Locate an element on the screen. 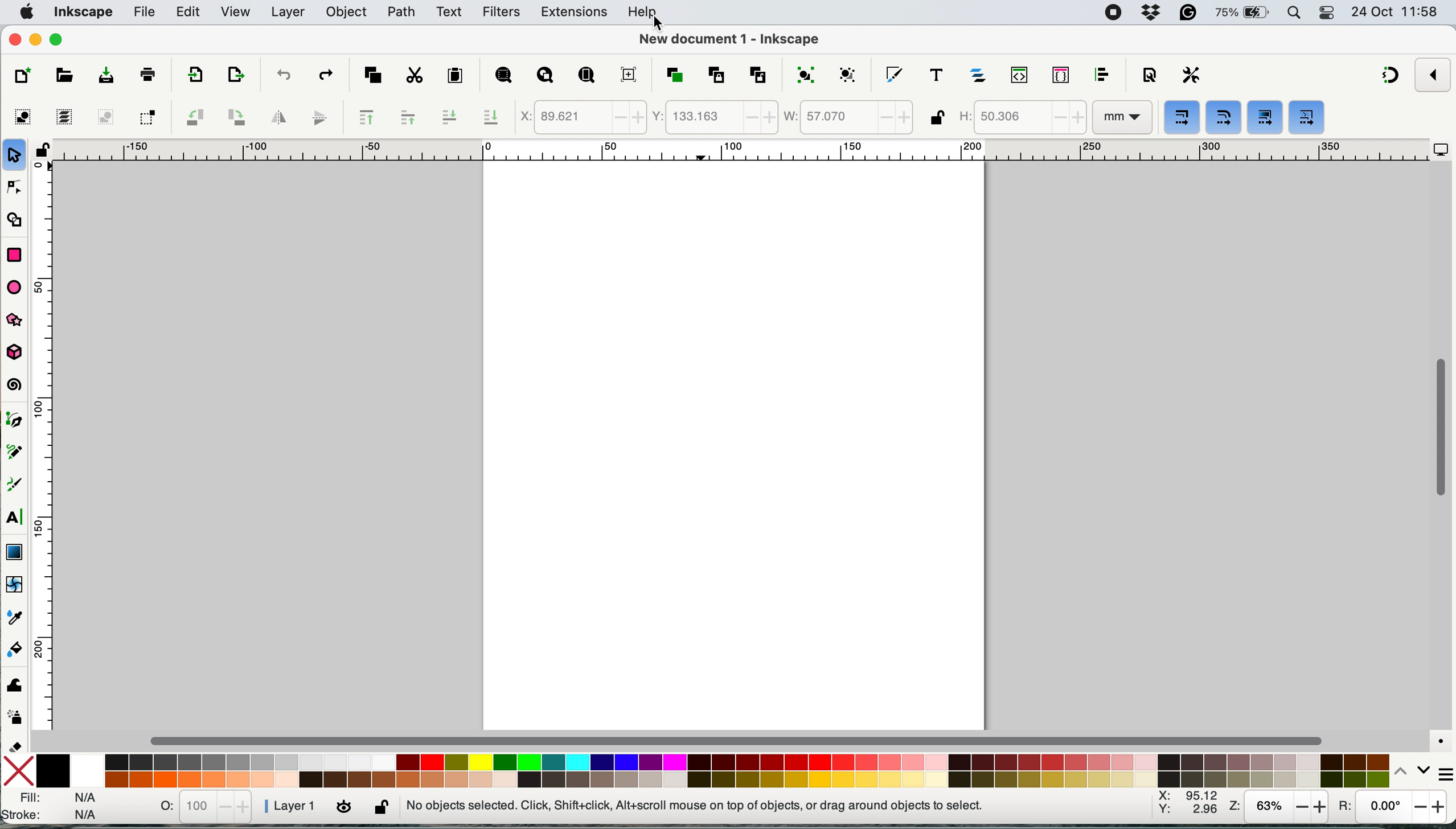 This screenshot has height=829, width=1456. print is located at coordinates (142, 75).